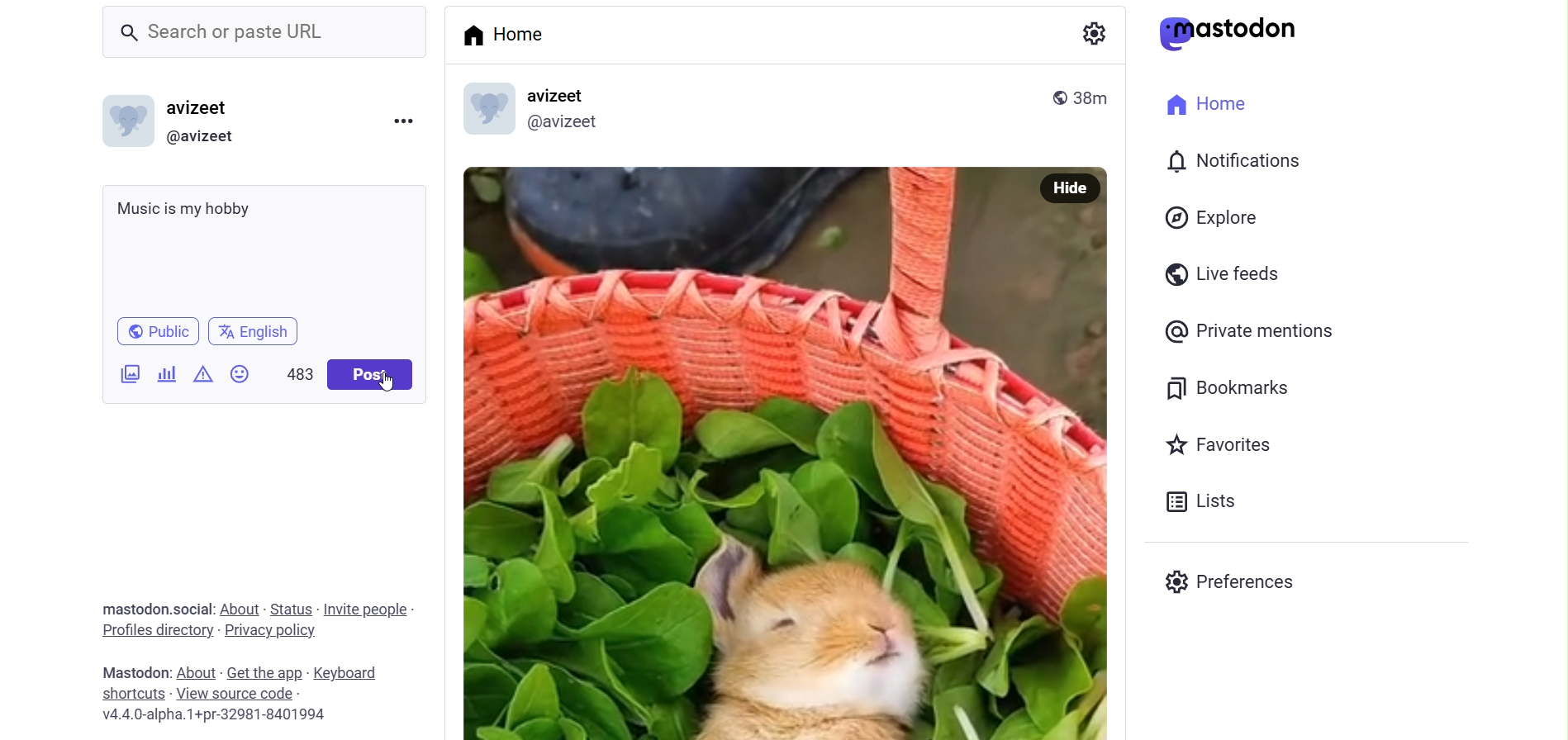  I want to click on Invite People, so click(368, 610).